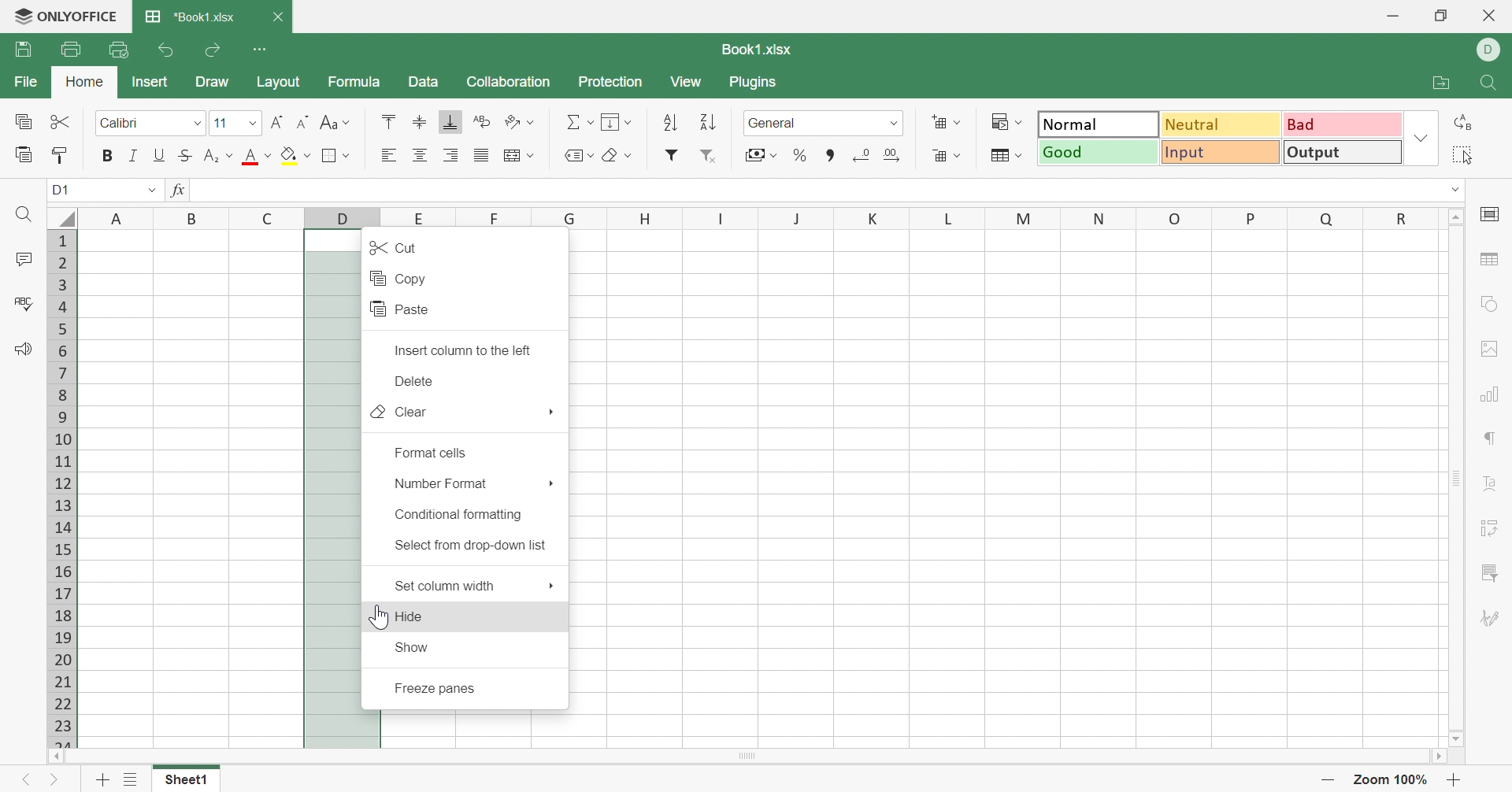 This screenshot has height=792, width=1512. Describe the element at coordinates (551, 586) in the screenshot. I see `More` at that location.